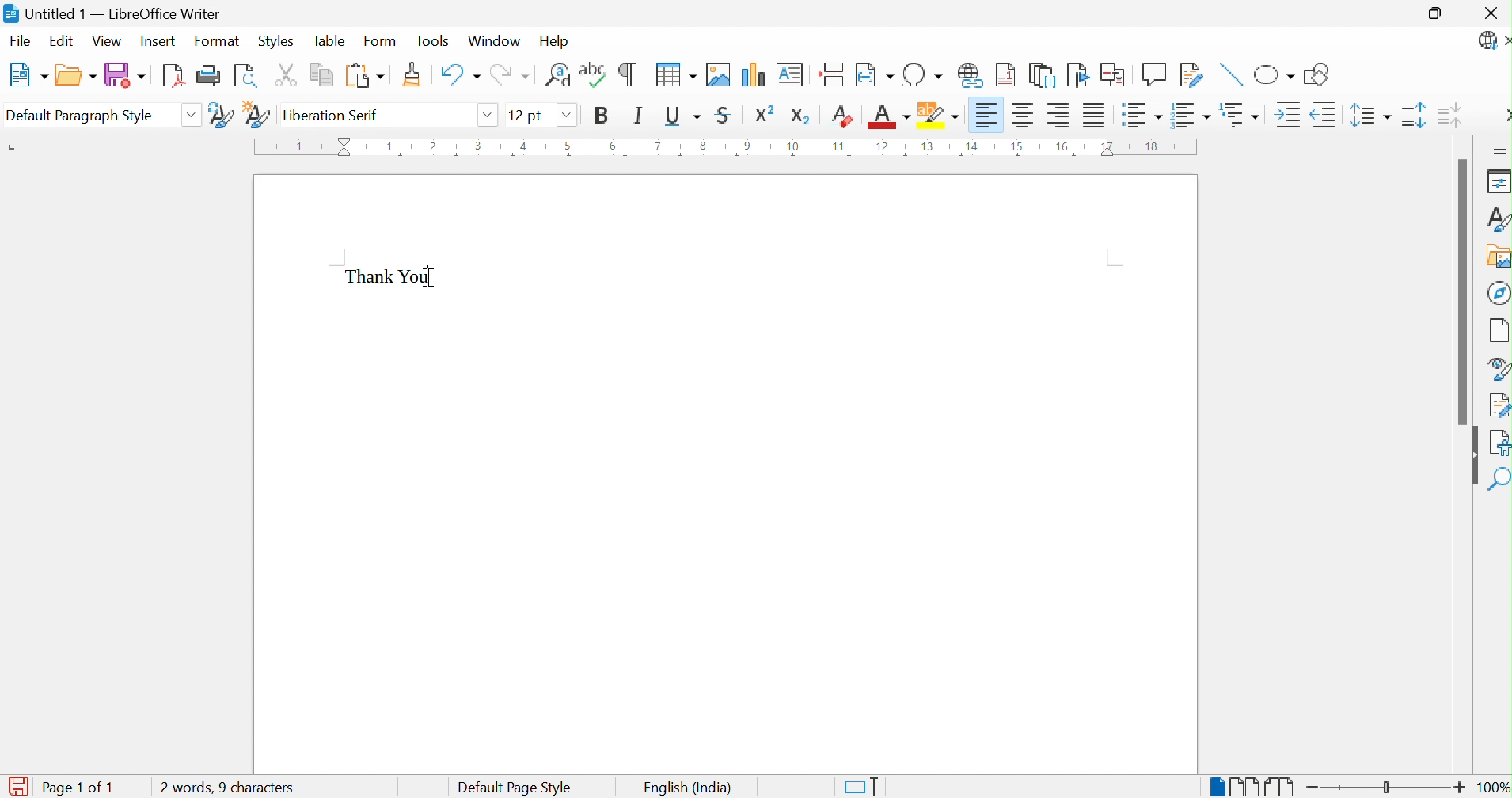 Image resolution: width=1512 pixels, height=798 pixels. What do you see at coordinates (862, 785) in the screenshot?
I see `Standard Selection. Click to change selection mode.` at bounding box center [862, 785].